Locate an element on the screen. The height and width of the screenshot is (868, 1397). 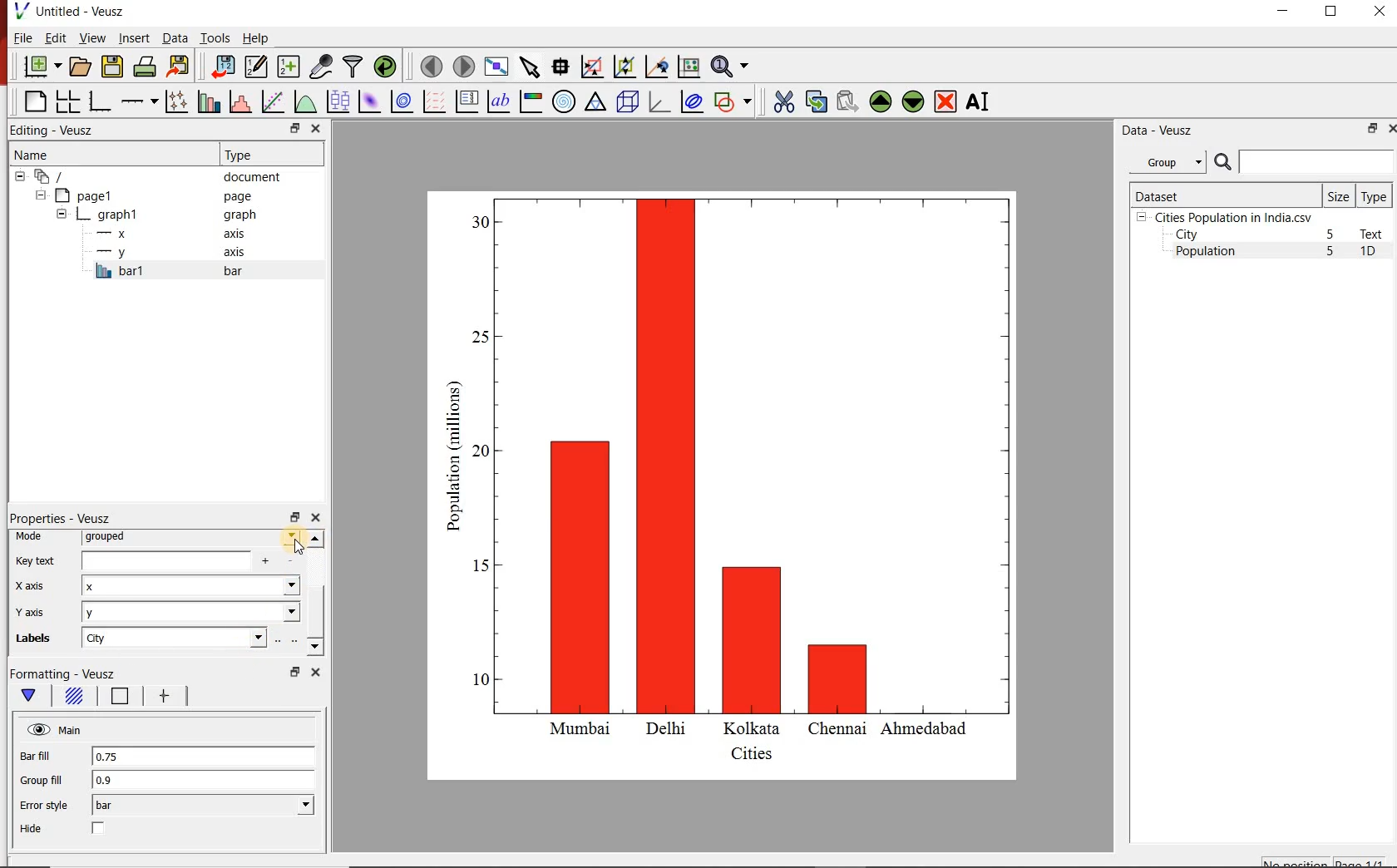
view plot full screen is located at coordinates (496, 67).